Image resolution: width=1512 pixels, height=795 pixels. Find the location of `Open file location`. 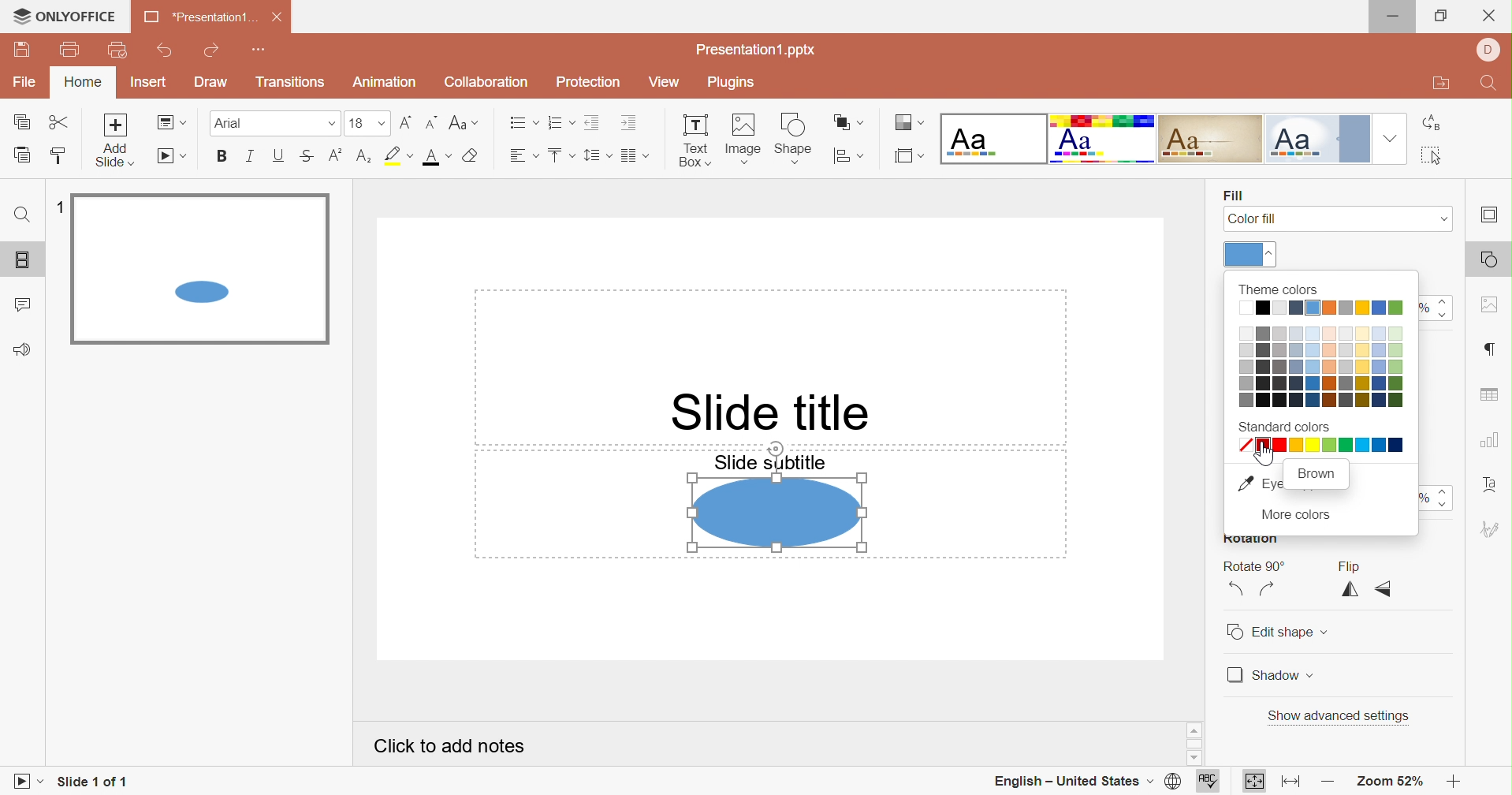

Open file location is located at coordinates (1440, 84).